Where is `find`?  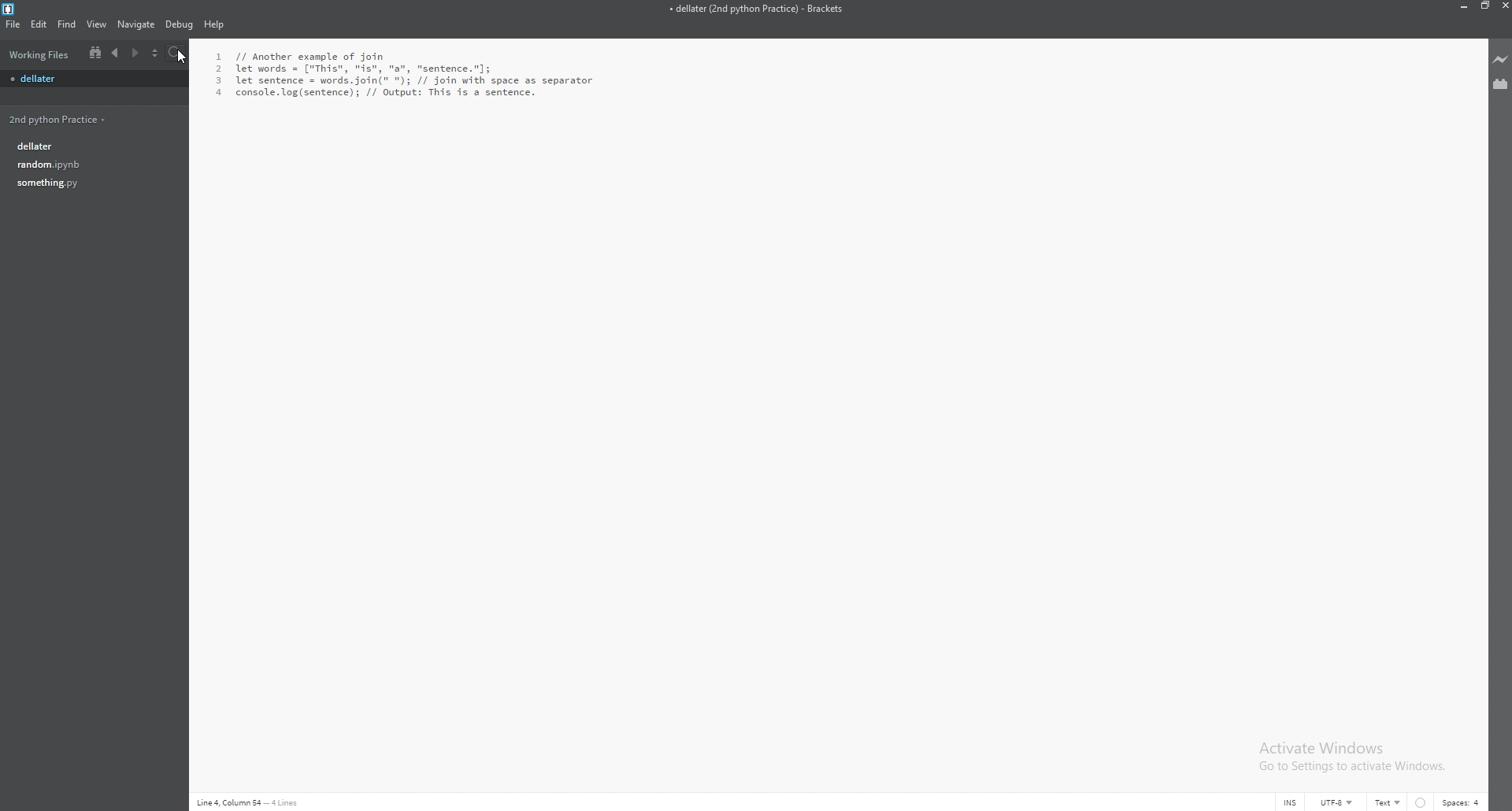 find is located at coordinates (66, 24).